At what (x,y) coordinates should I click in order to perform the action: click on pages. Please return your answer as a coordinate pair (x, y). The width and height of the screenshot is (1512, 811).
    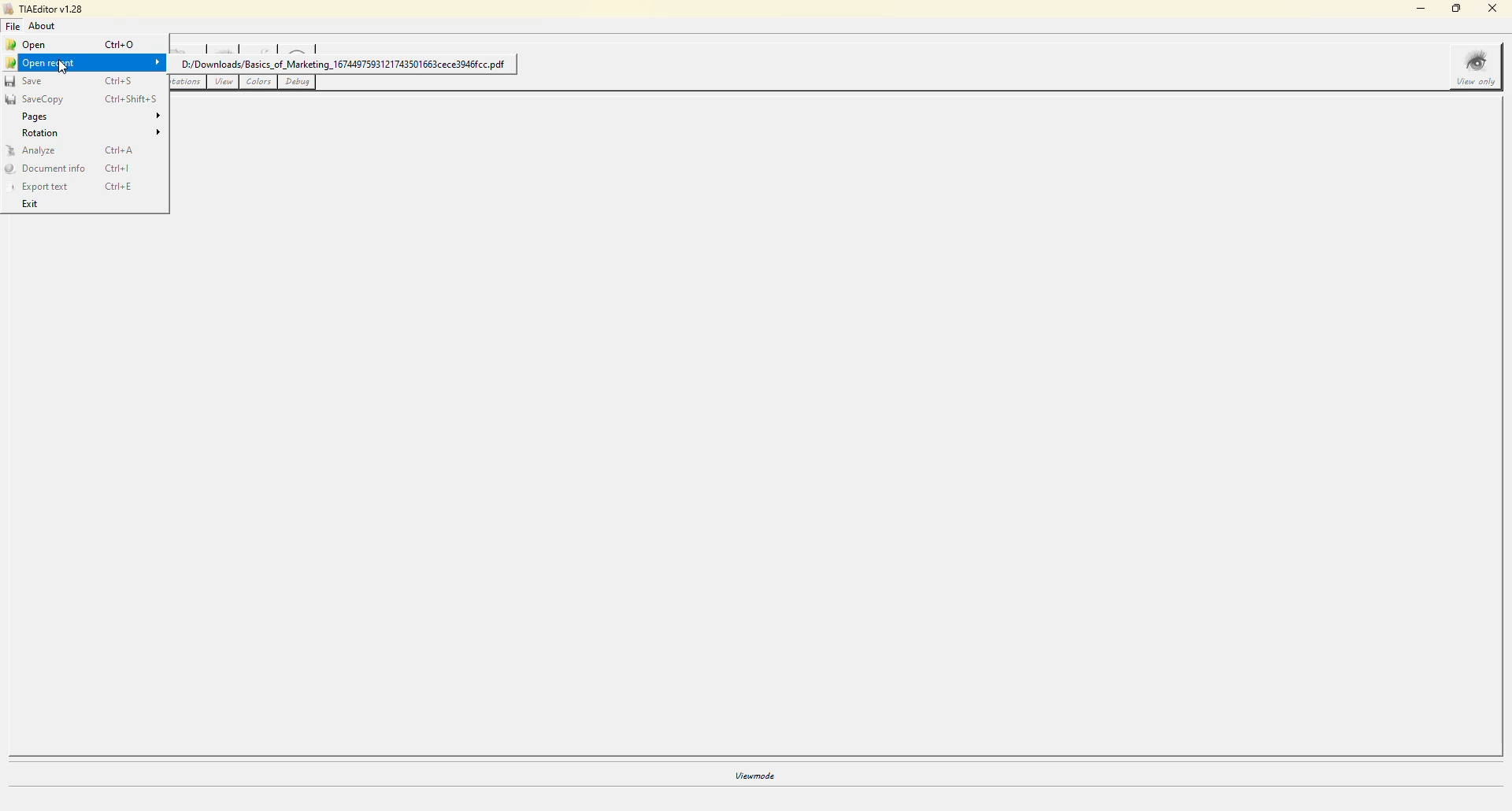
    Looking at the image, I should click on (34, 117).